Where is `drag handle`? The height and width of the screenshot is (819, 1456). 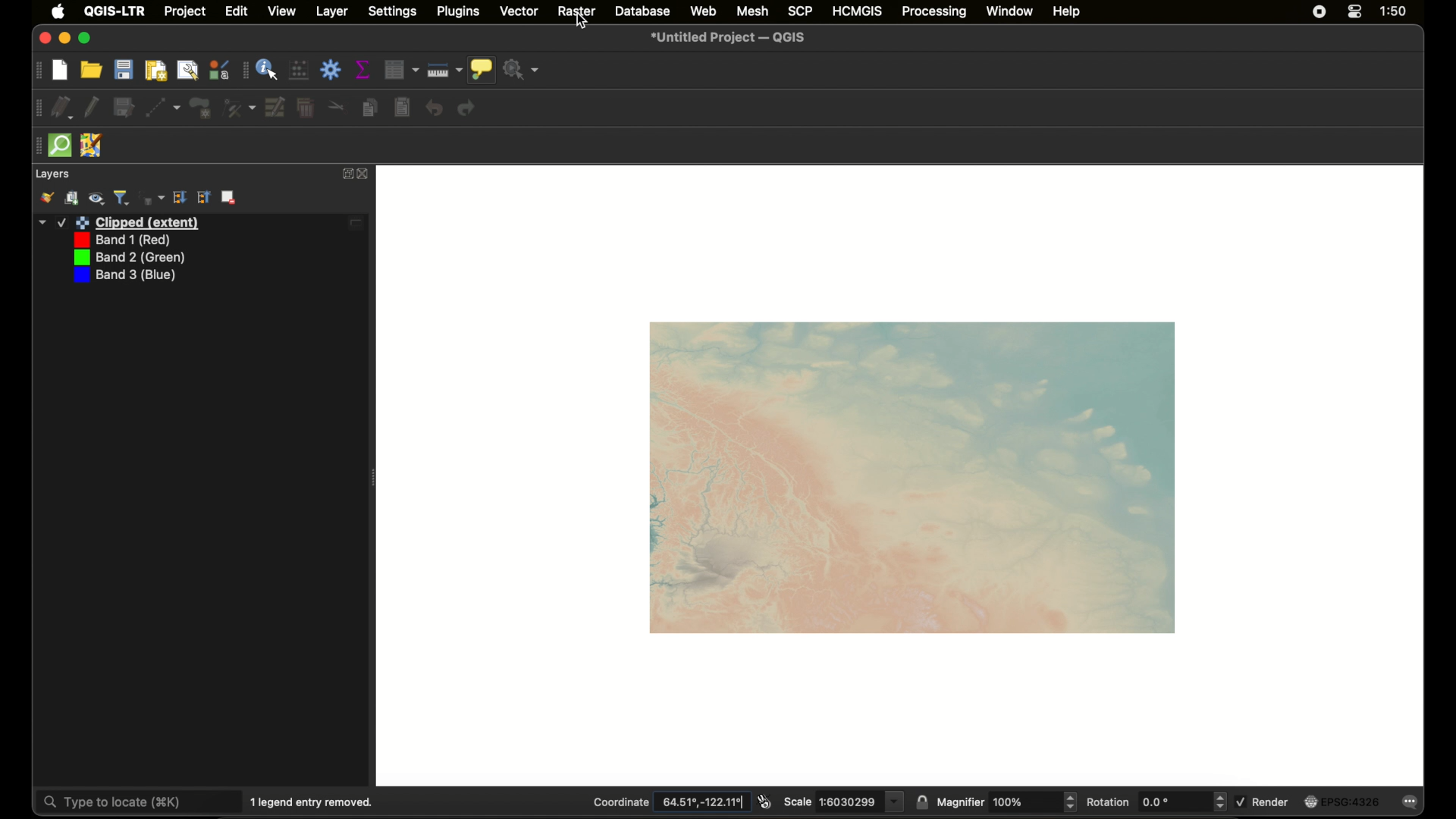 drag handle is located at coordinates (36, 146).